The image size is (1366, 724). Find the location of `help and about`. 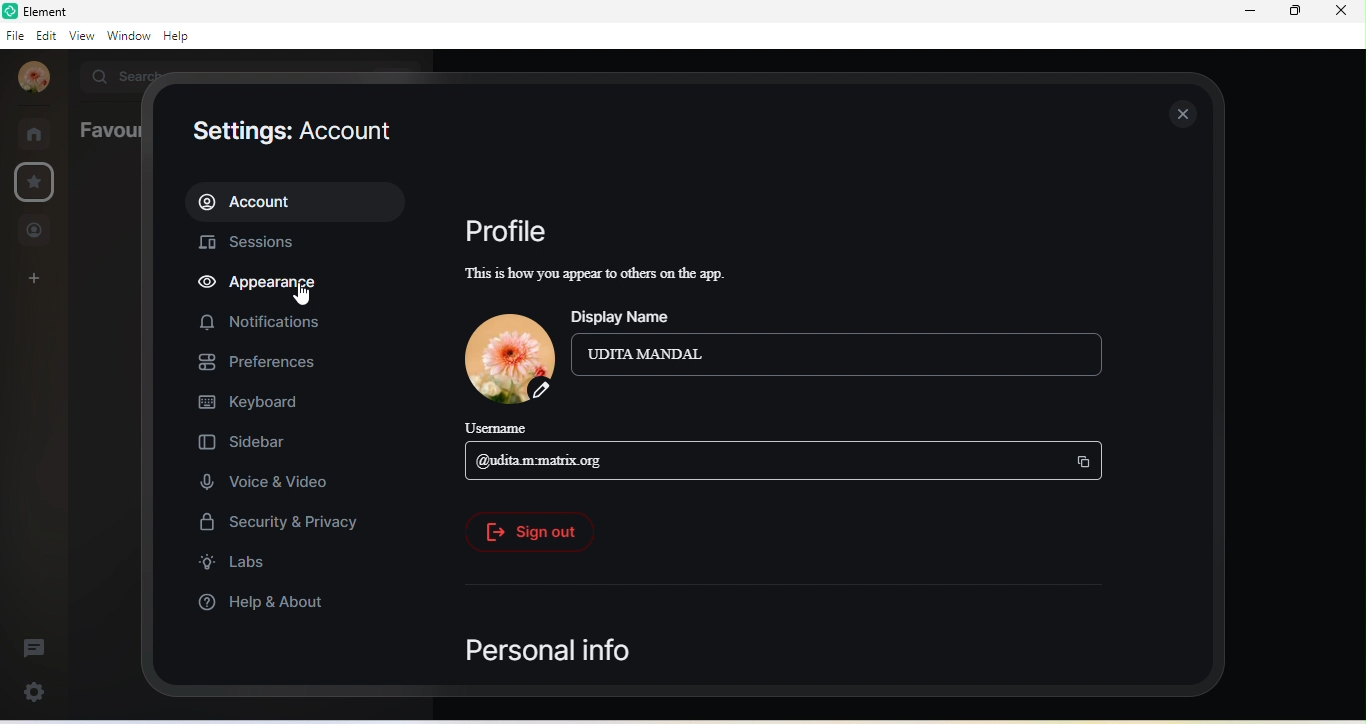

help and about is located at coordinates (261, 605).